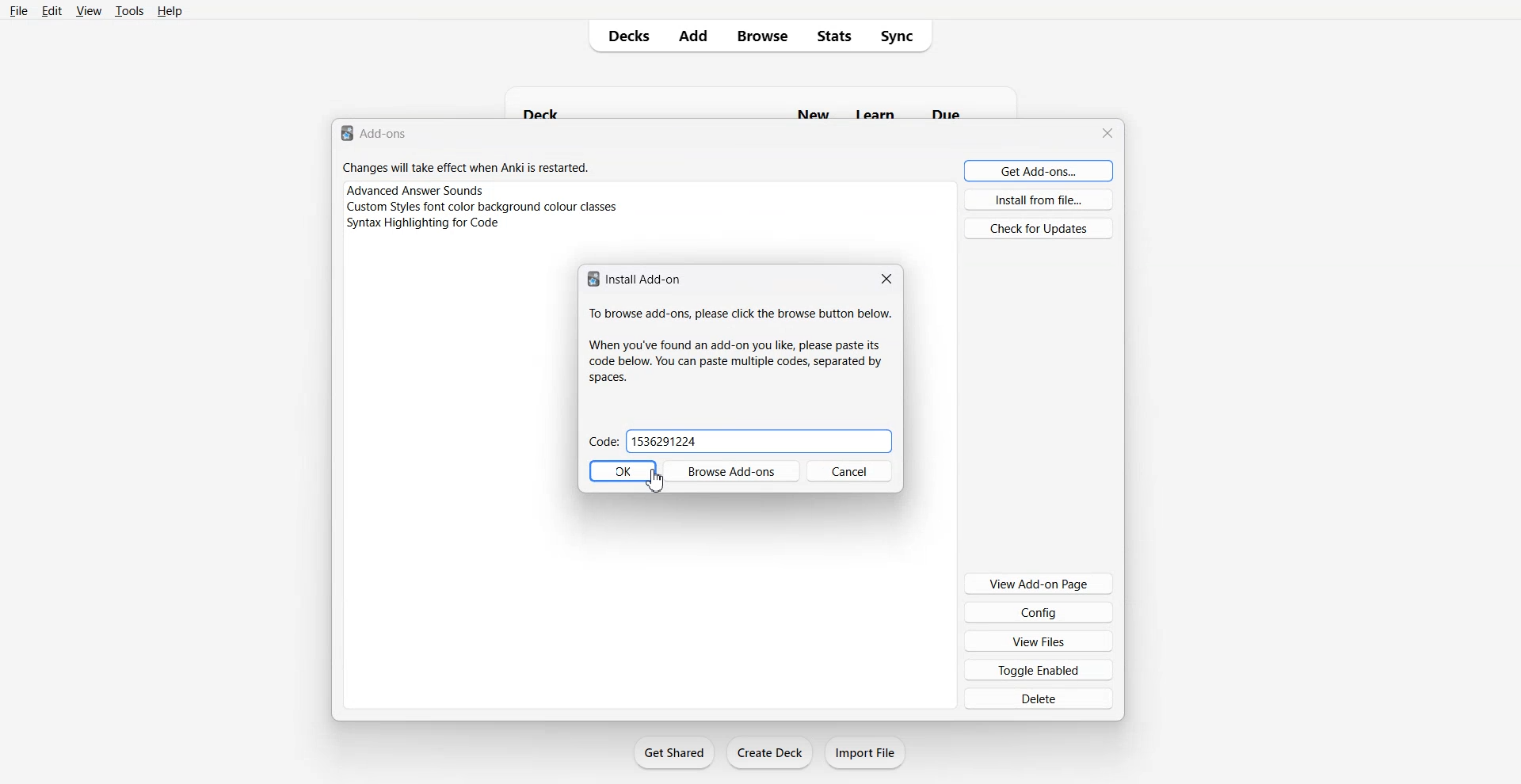 Image resolution: width=1521 pixels, height=784 pixels. Describe the element at coordinates (622, 471) in the screenshot. I see `OK` at that location.